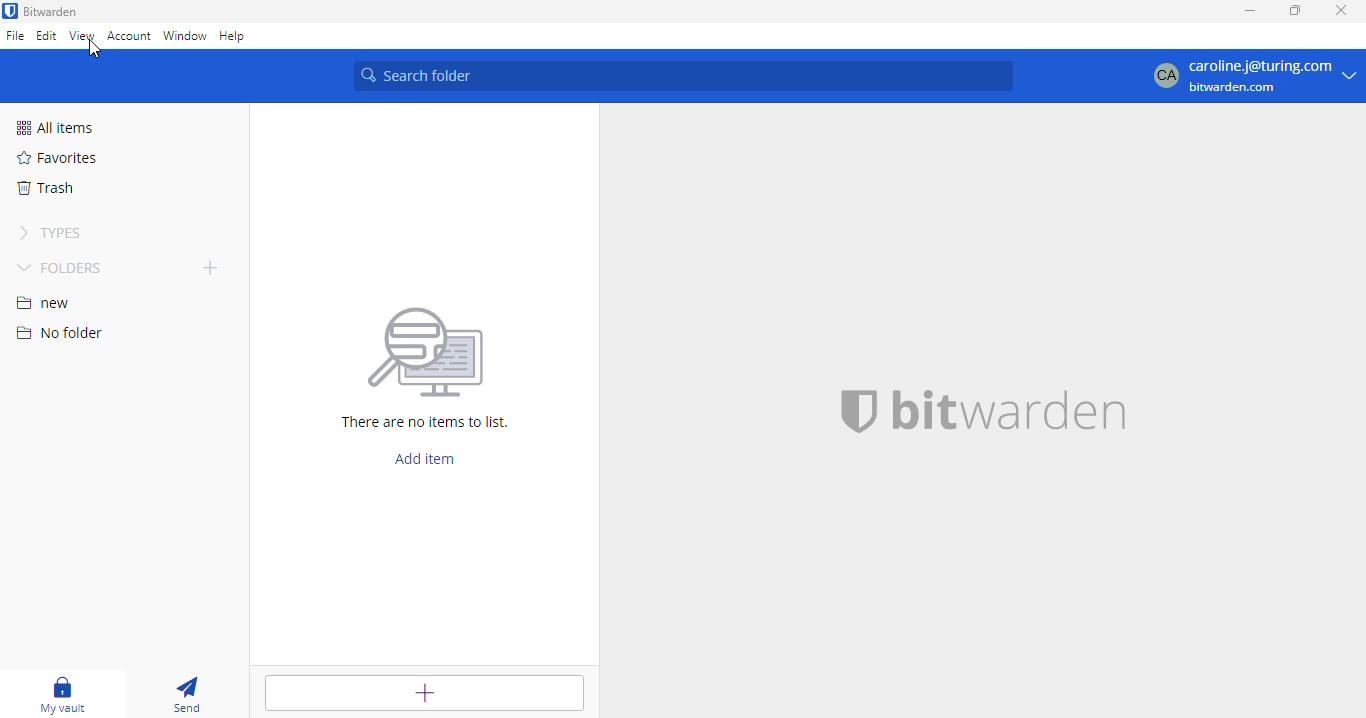 The height and width of the screenshot is (718, 1366). Describe the element at coordinates (1253, 75) in the screenshot. I see `profile` at that location.